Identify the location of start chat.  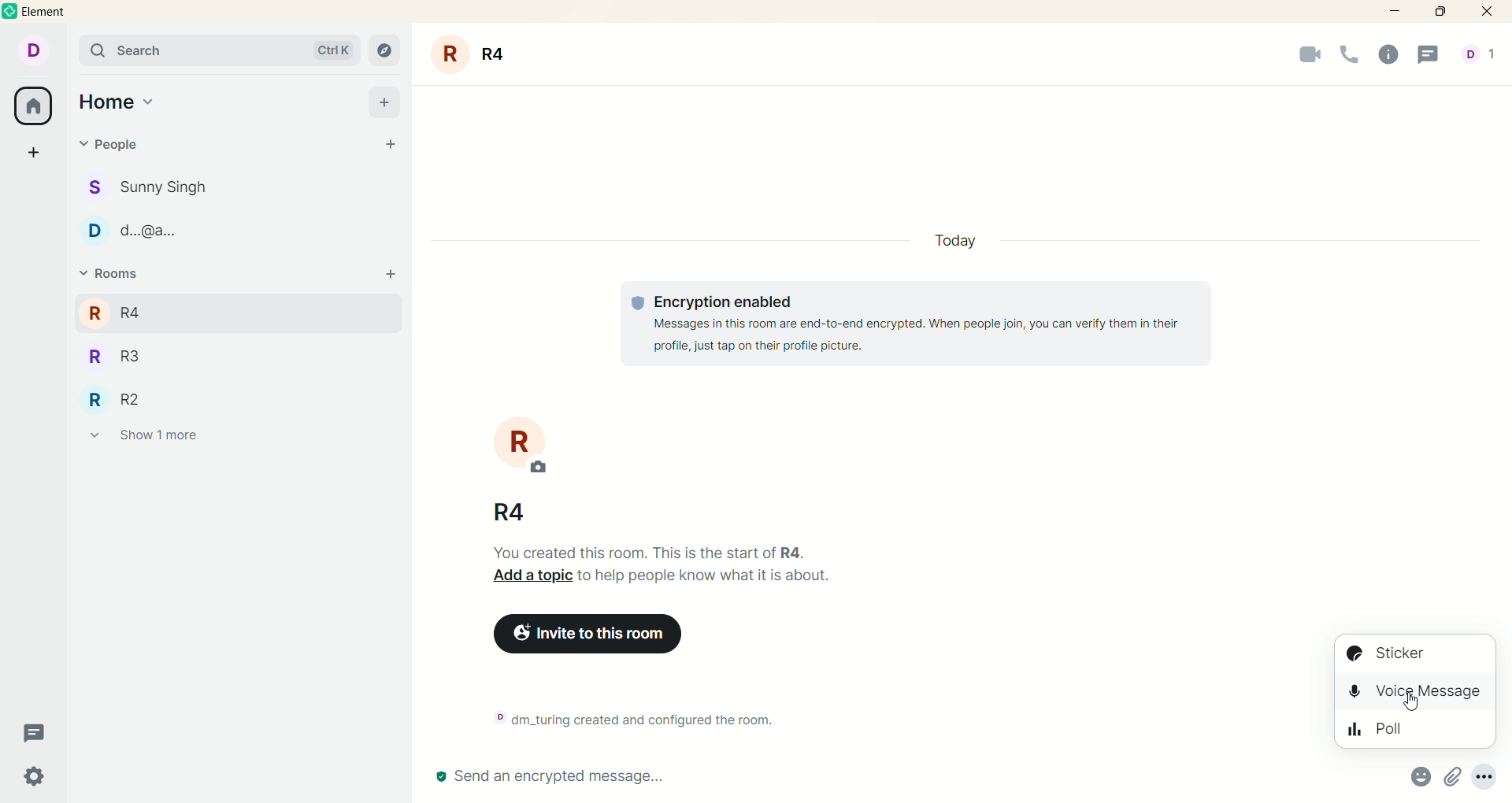
(393, 146).